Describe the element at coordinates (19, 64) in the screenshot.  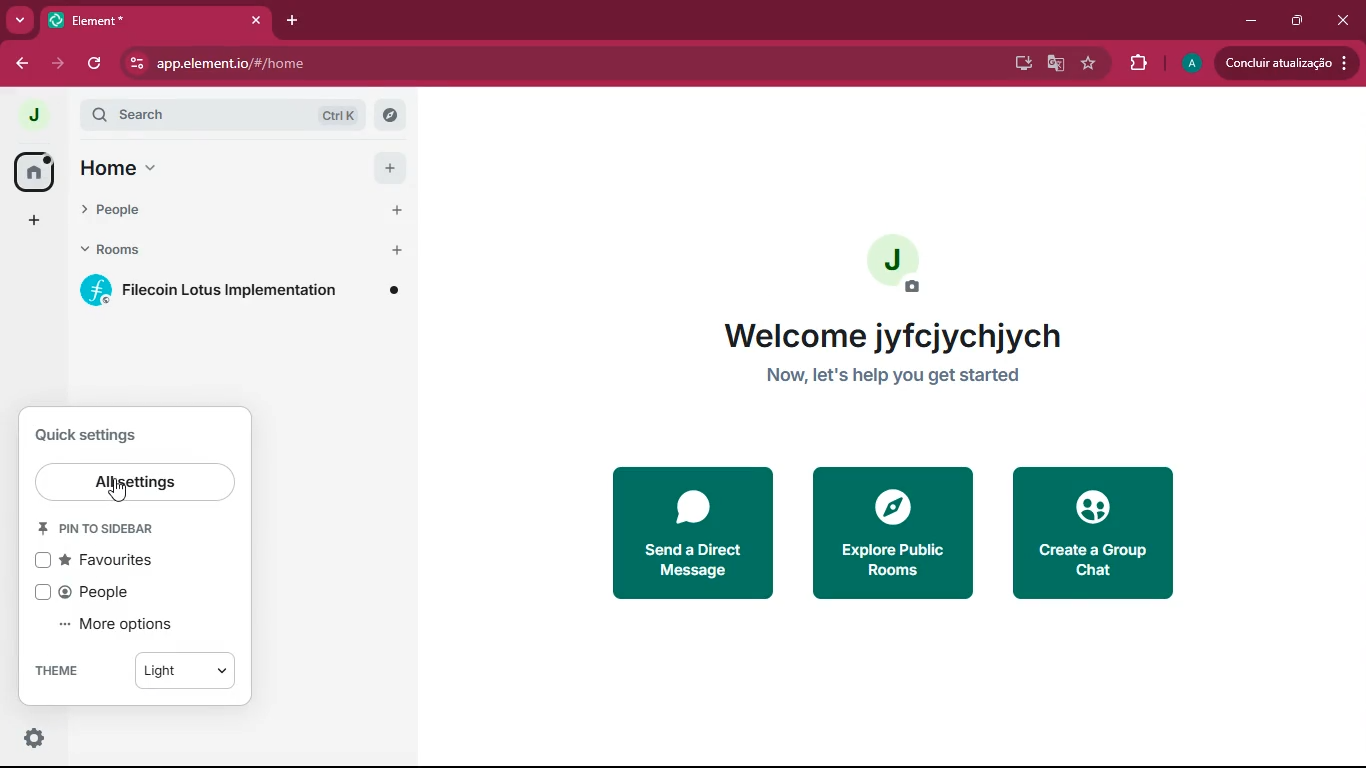
I see `back` at that location.